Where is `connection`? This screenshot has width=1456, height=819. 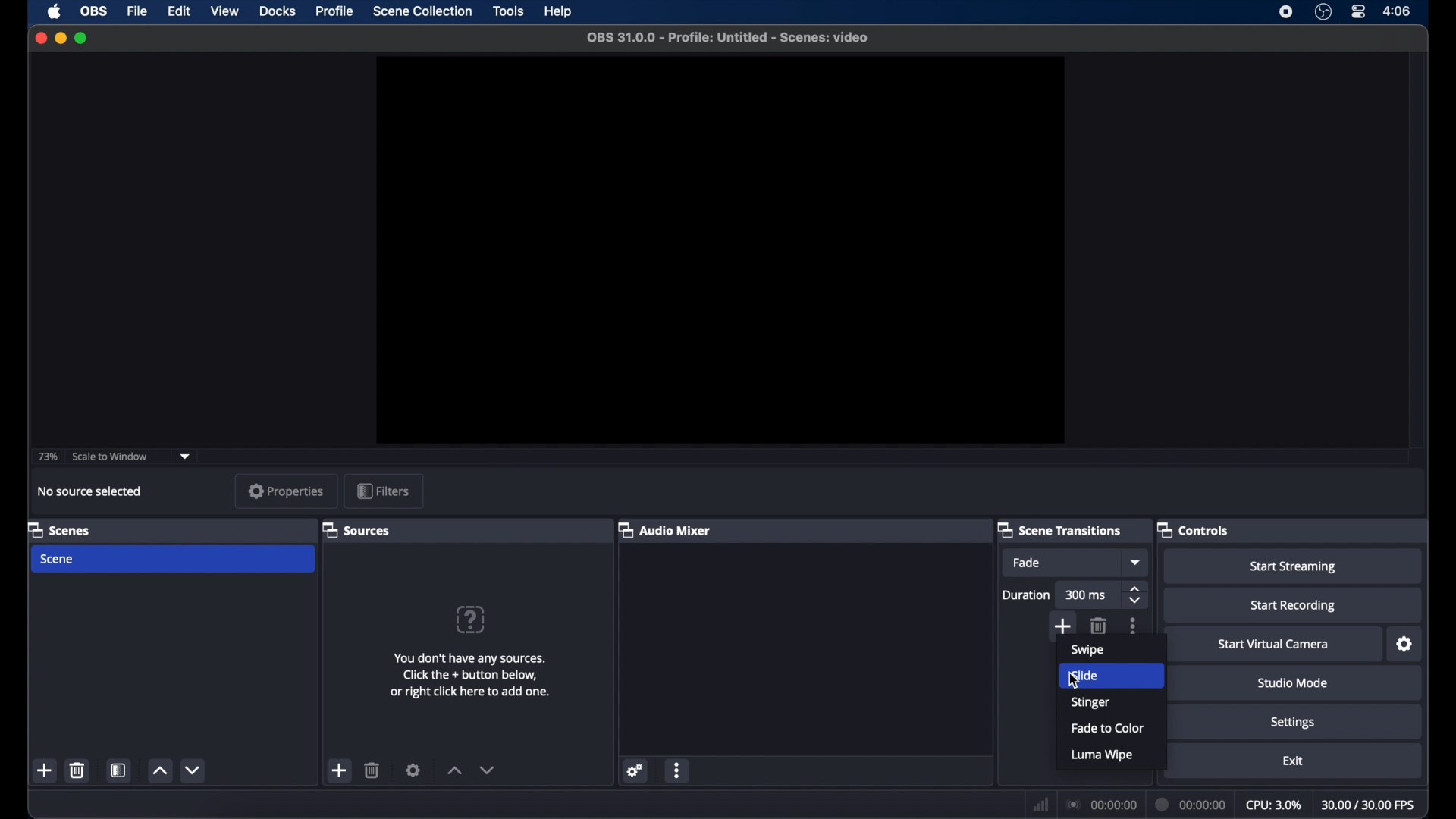
connection is located at coordinates (1100, 804).